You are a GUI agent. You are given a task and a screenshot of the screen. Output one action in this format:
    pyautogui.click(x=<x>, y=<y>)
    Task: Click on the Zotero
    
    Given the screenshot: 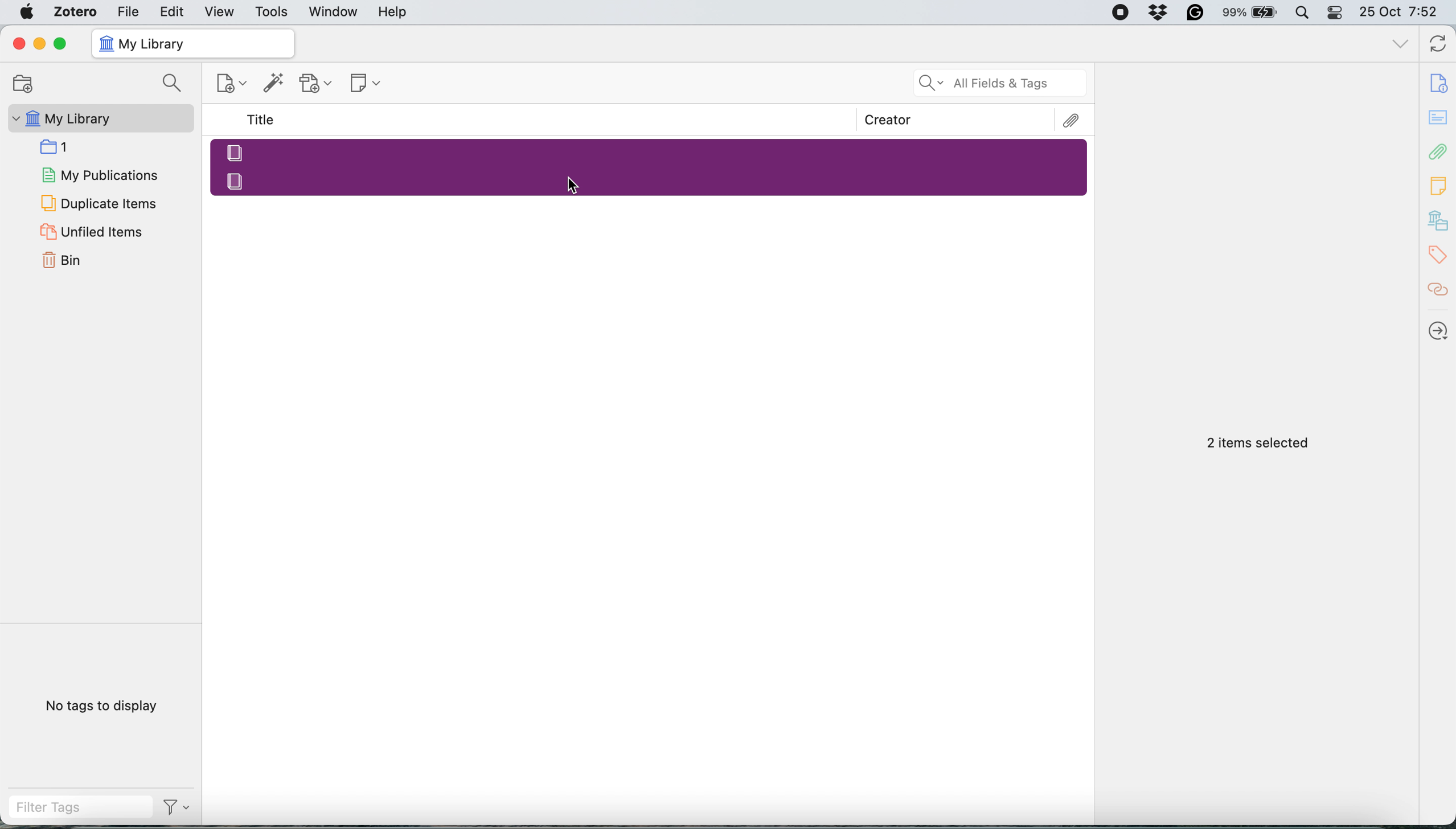 What is the action you would take?
    pyautogui.click(x=76, y=11)
    